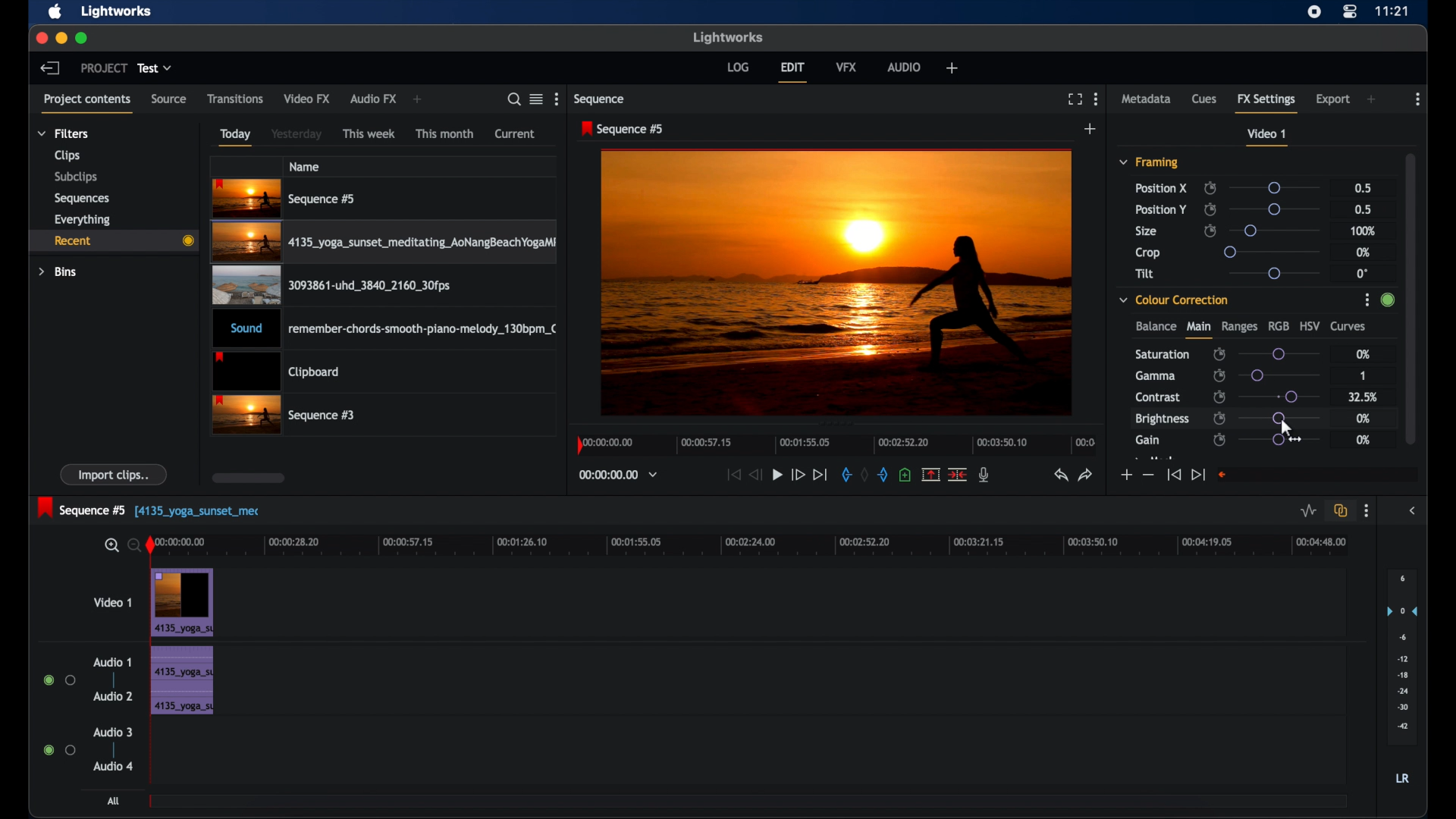  What do you see at coordinates (619, 475) in the screenshot?
I see `timecodesand reels` at bounding box center [619, 475].